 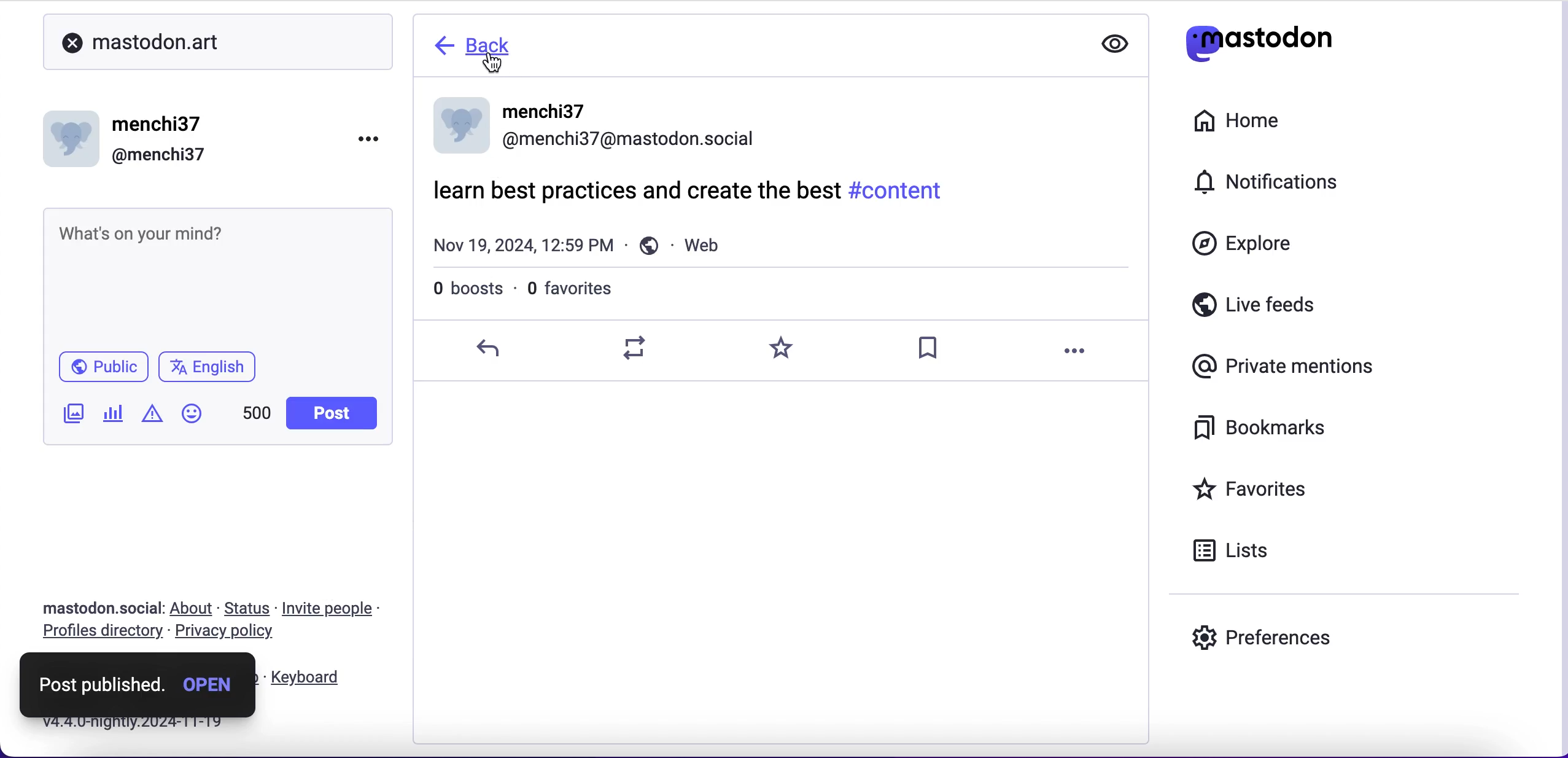 I want to click on boost, so click(x=644, y=348).